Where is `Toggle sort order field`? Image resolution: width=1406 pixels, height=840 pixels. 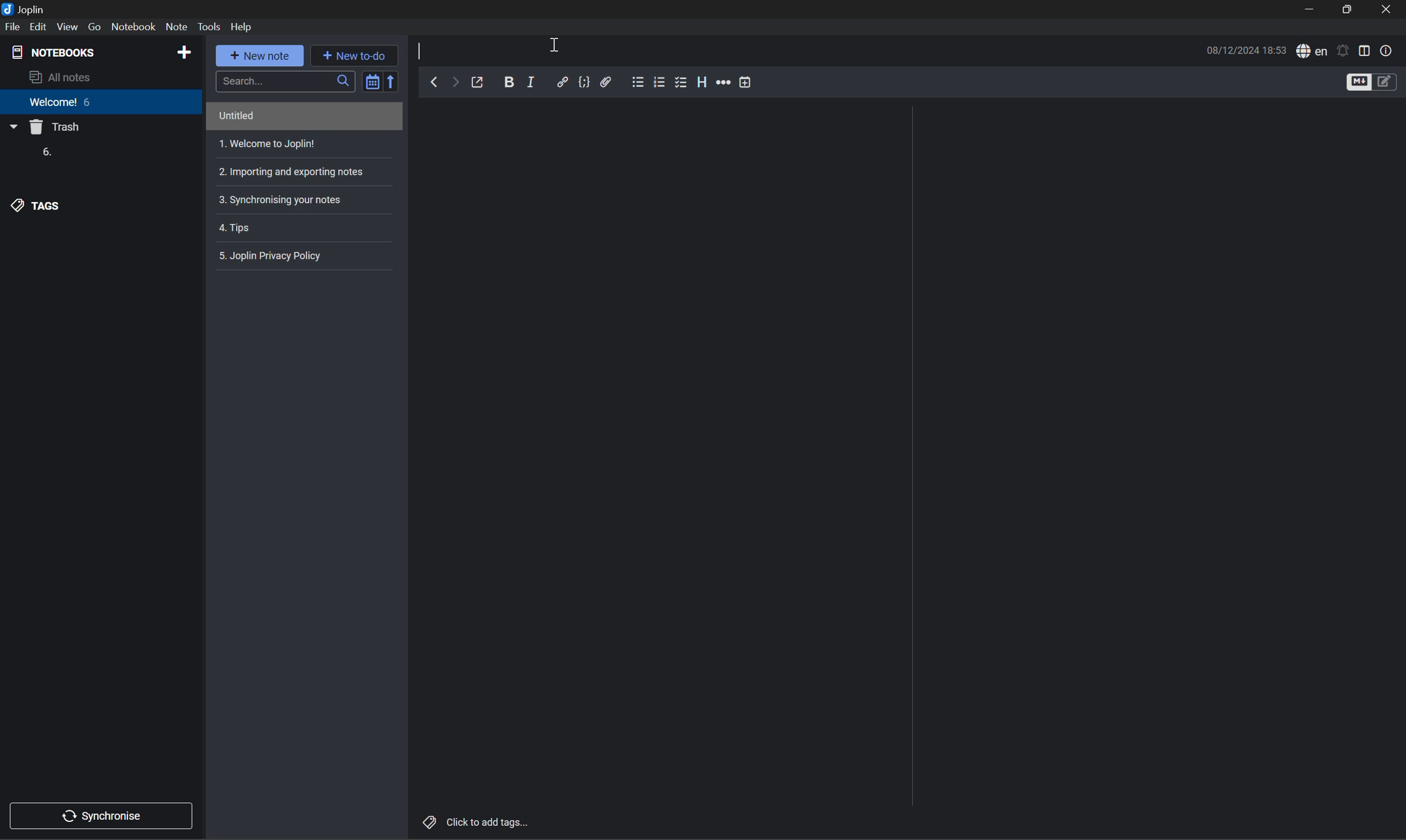
Toggle sort order field is located at coordinates (370, 80).